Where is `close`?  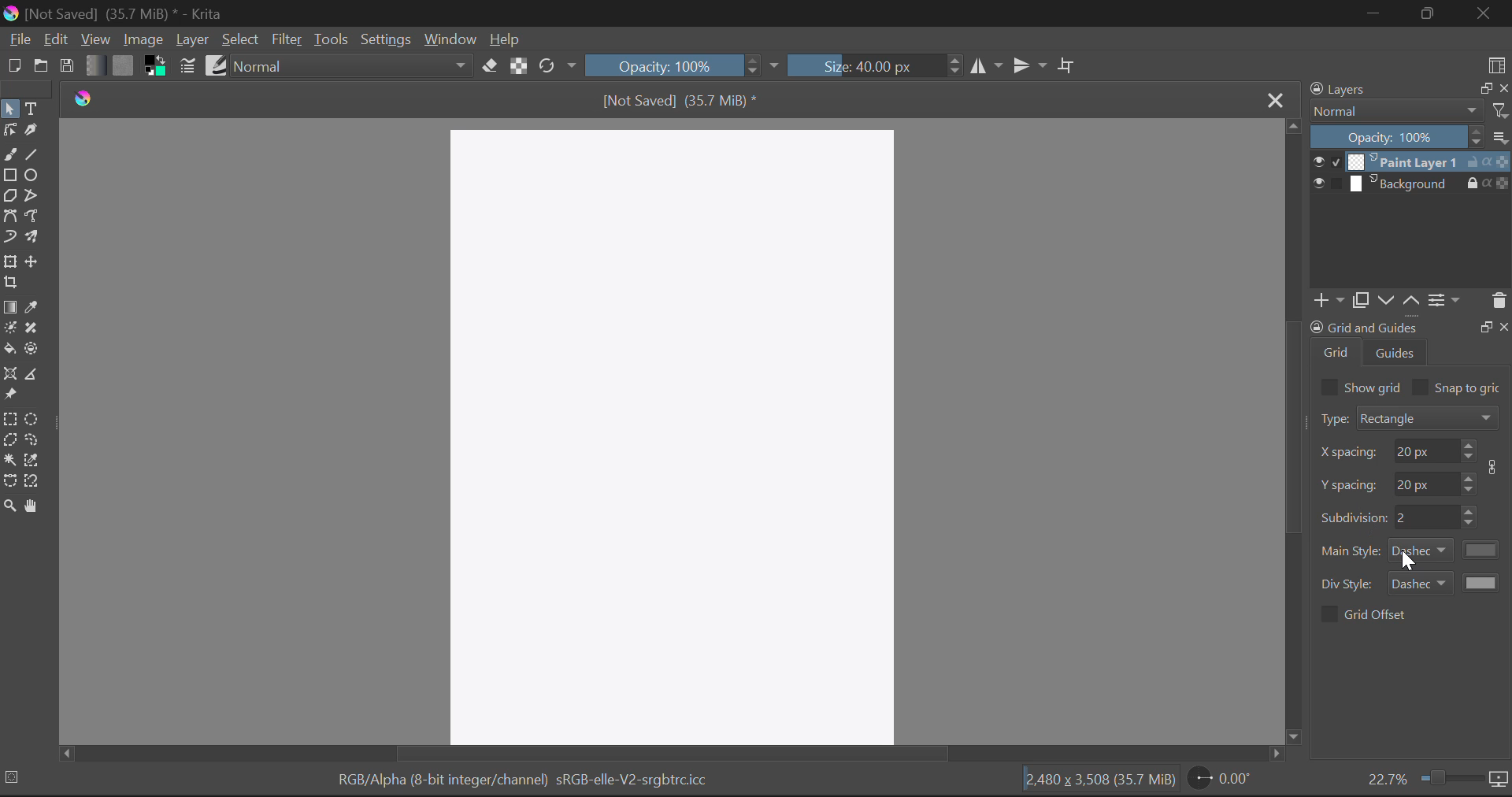
close is located at coordinates (1503, 88).